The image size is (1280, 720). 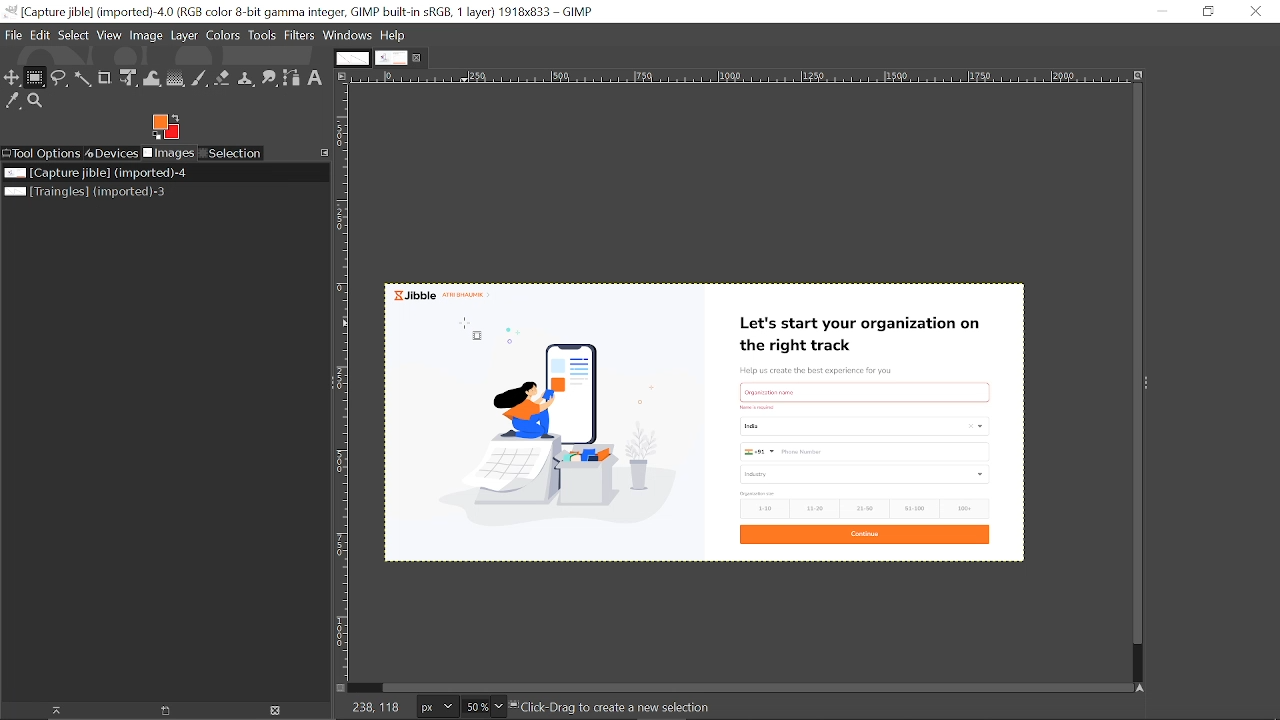 I want to click on Layer, so click(x=186, y=37).